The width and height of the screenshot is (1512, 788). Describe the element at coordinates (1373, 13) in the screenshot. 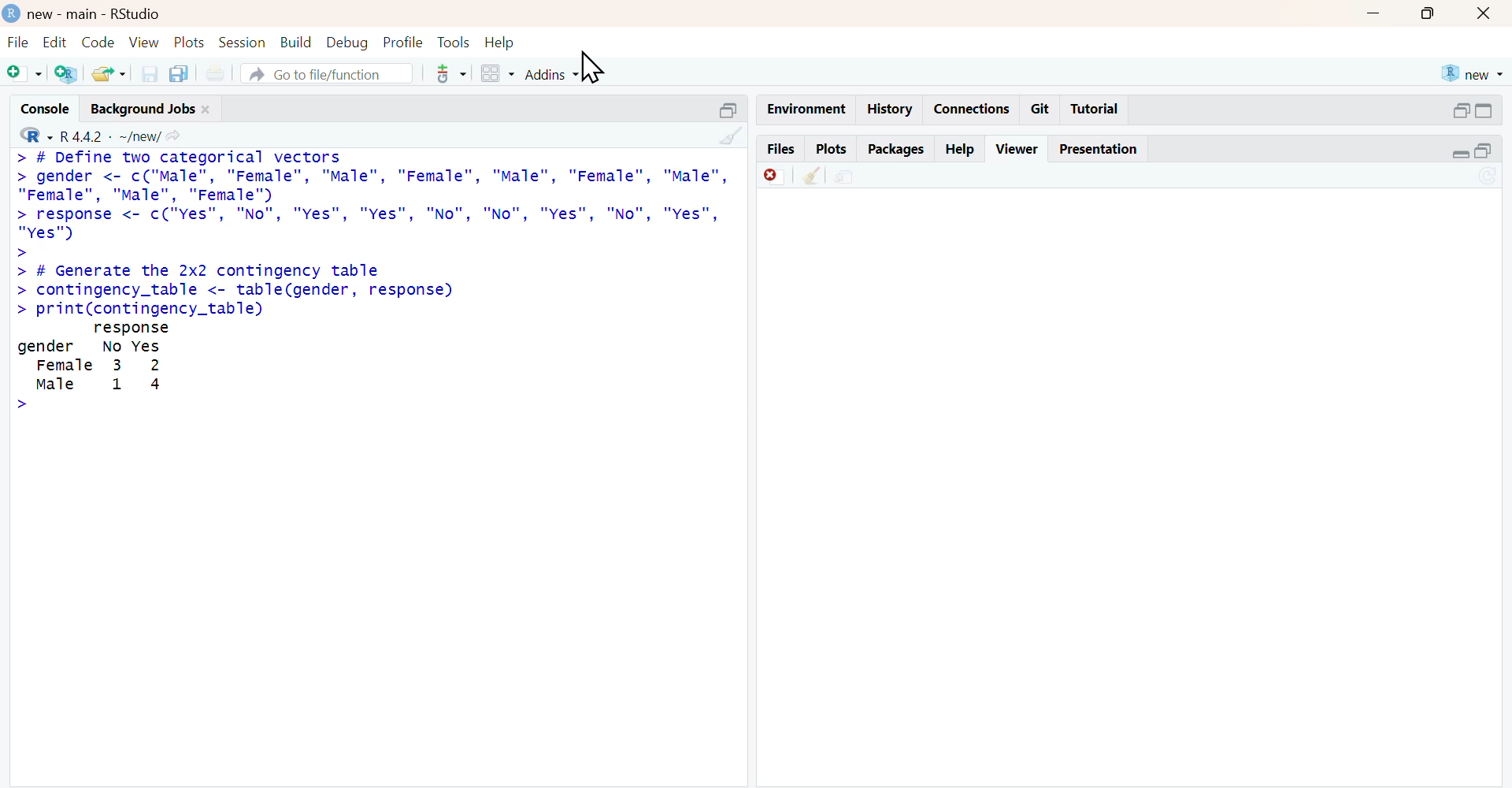

I see `minimise` at that location.